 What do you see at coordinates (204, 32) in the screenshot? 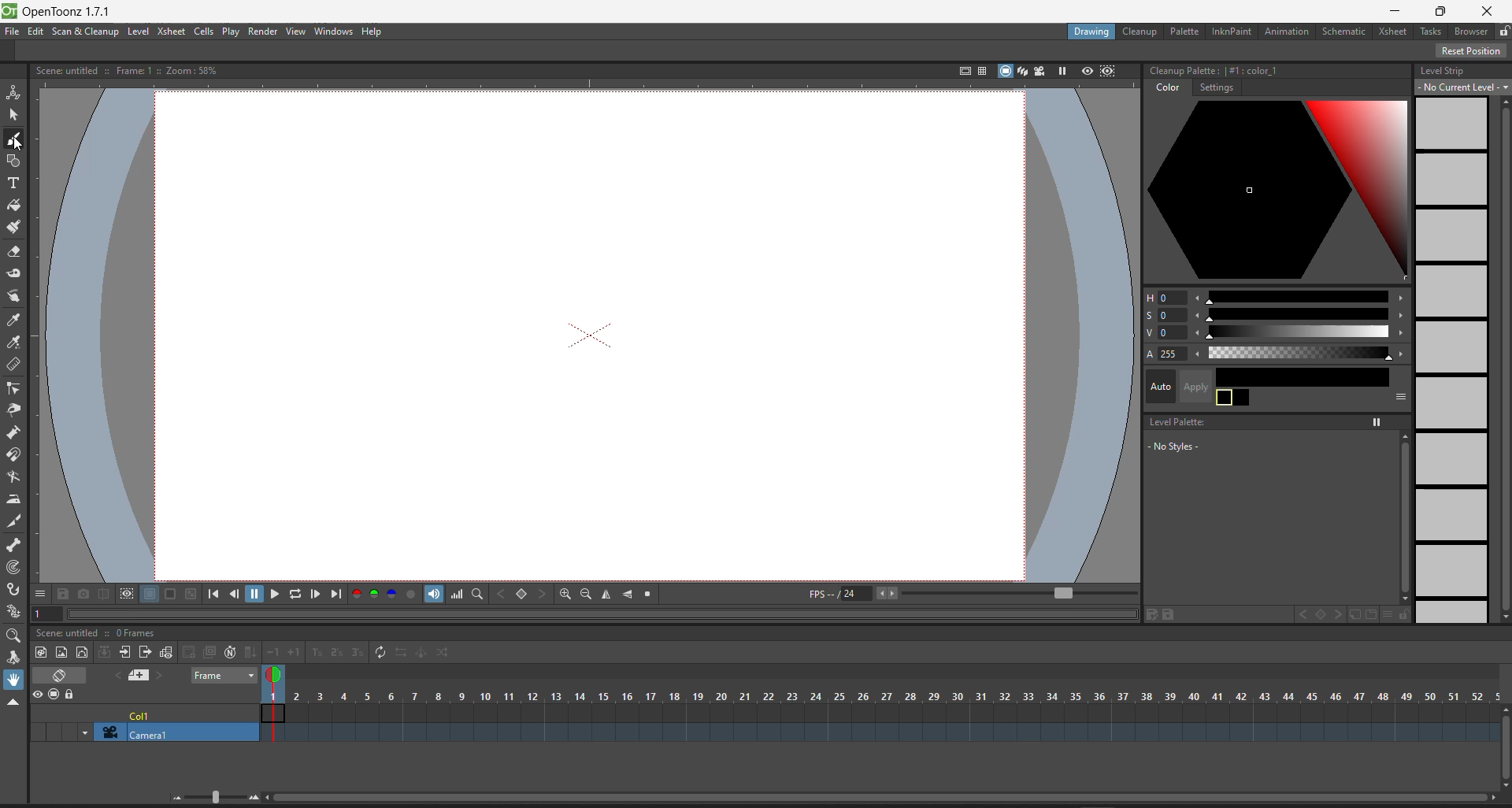
I see `cells` at bounding box center [204, 32].